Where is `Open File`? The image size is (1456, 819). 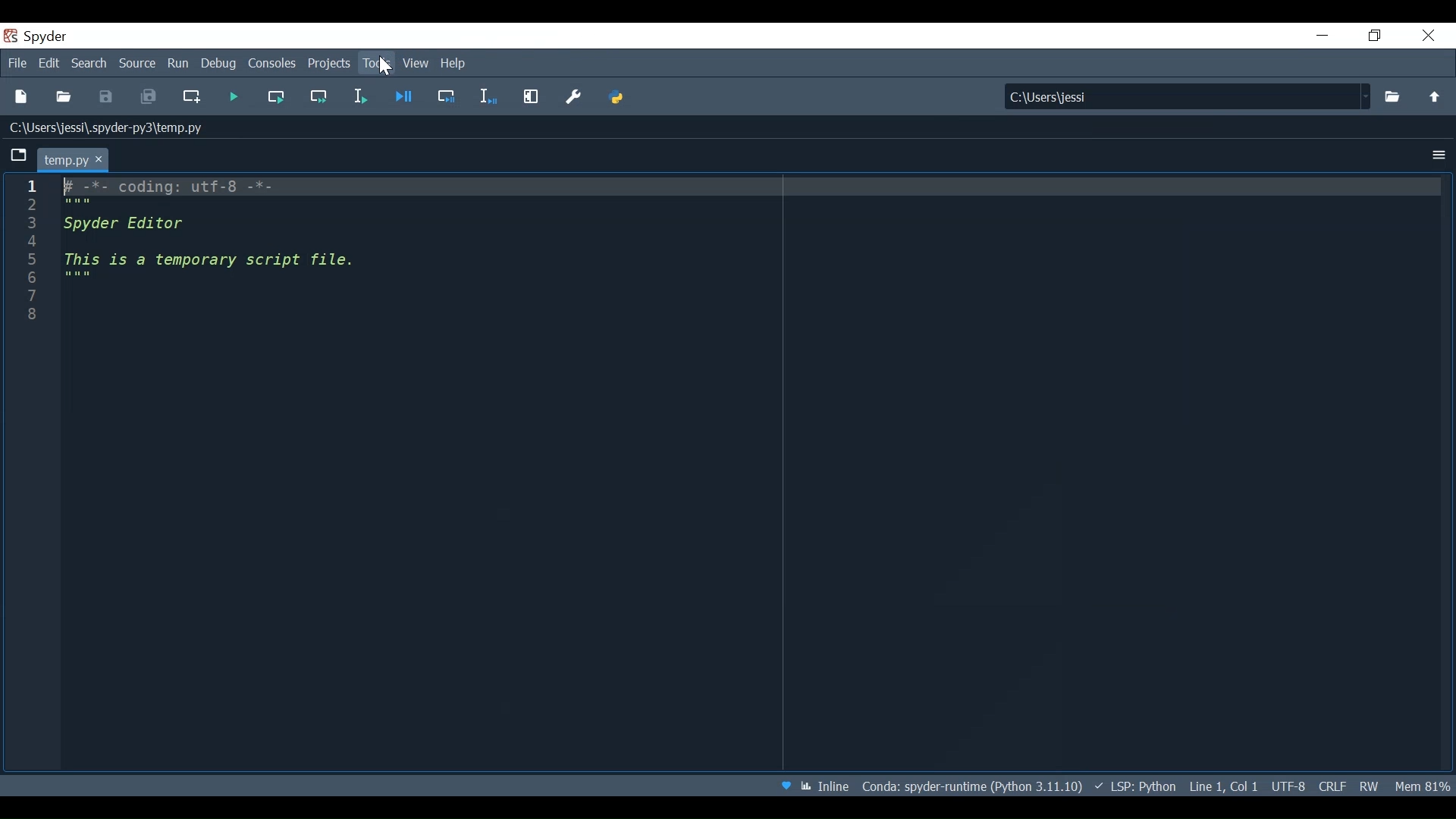 Open File is located at coordinates (62, 99).